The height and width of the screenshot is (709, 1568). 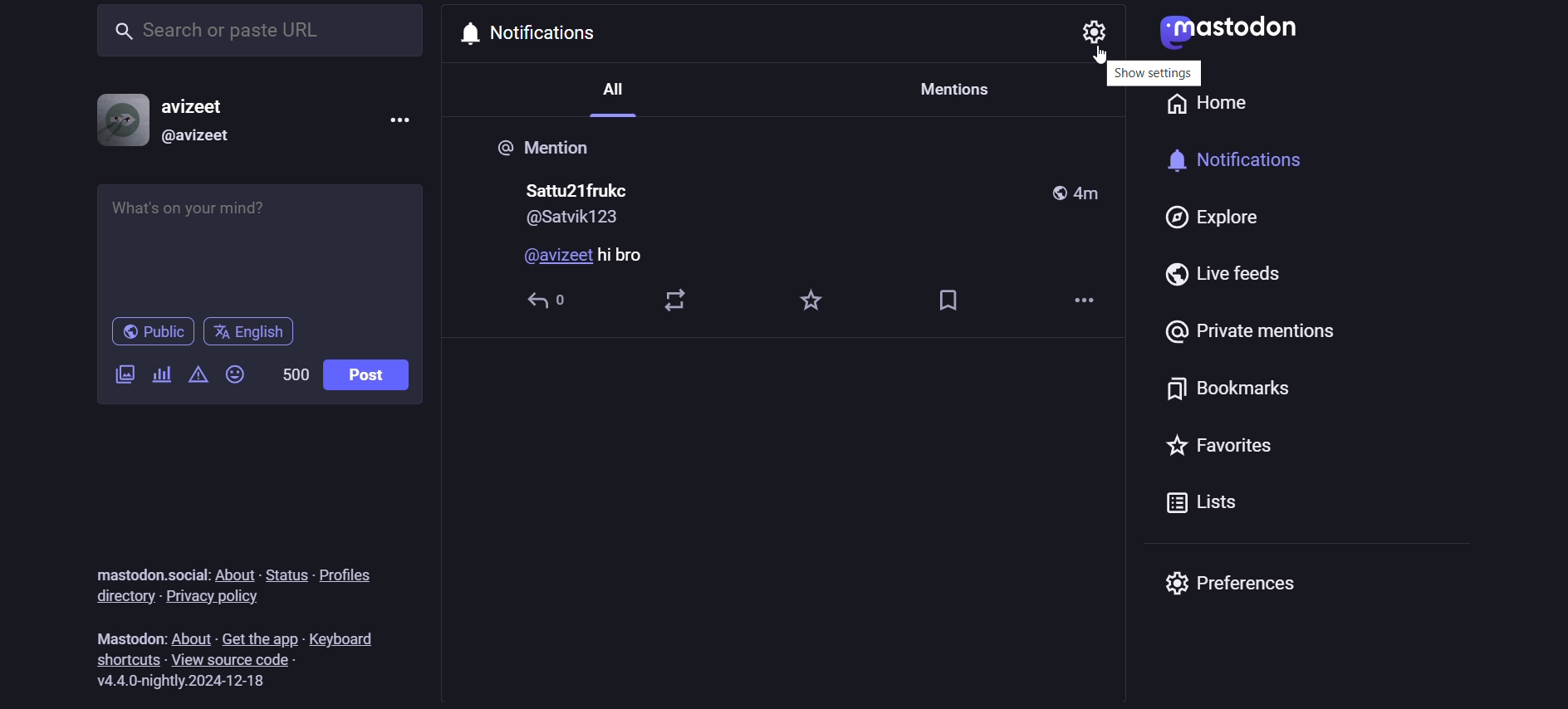 What do you see at coordinates (536, 32) in the screenshot?
I see `notifications` at bounding box center [536, 32].